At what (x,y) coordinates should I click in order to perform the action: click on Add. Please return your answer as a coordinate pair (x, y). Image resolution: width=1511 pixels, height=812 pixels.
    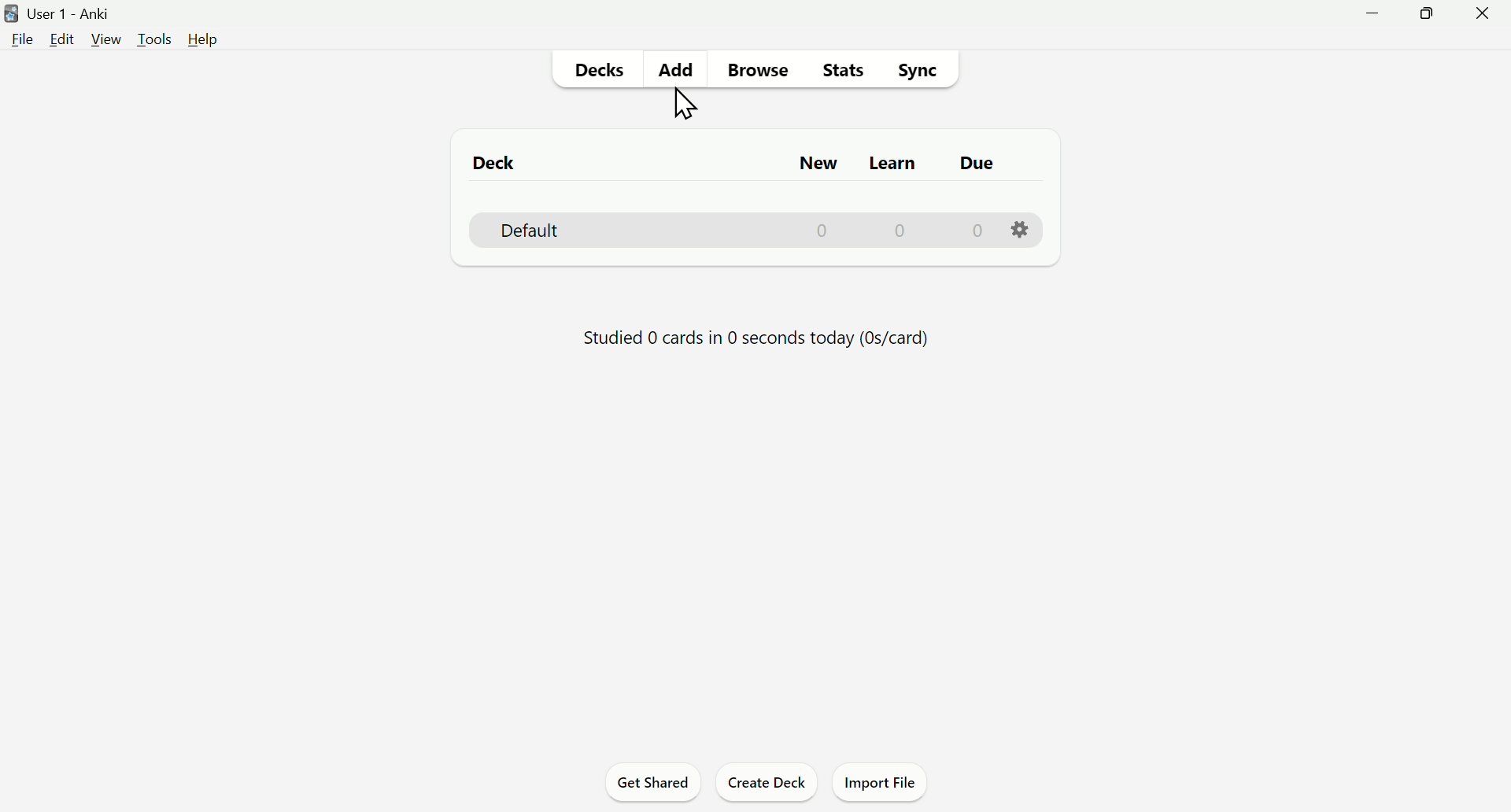
    Looking at the image, I should click on (675, 69).